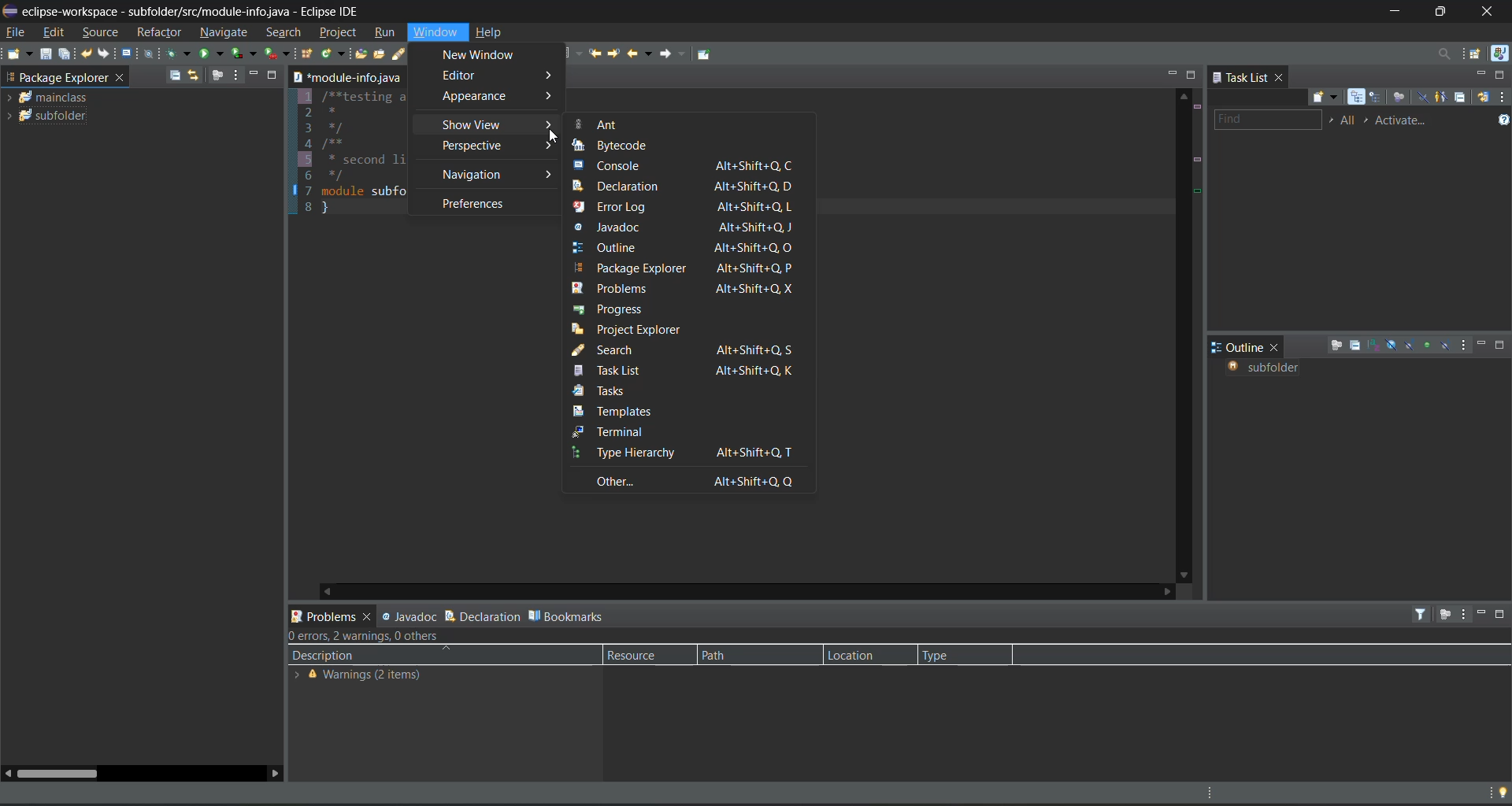 The image size is (1512, 806). Describe the element at coordinates (1478, 76) in the screenshot. I see `minimize` at that location.